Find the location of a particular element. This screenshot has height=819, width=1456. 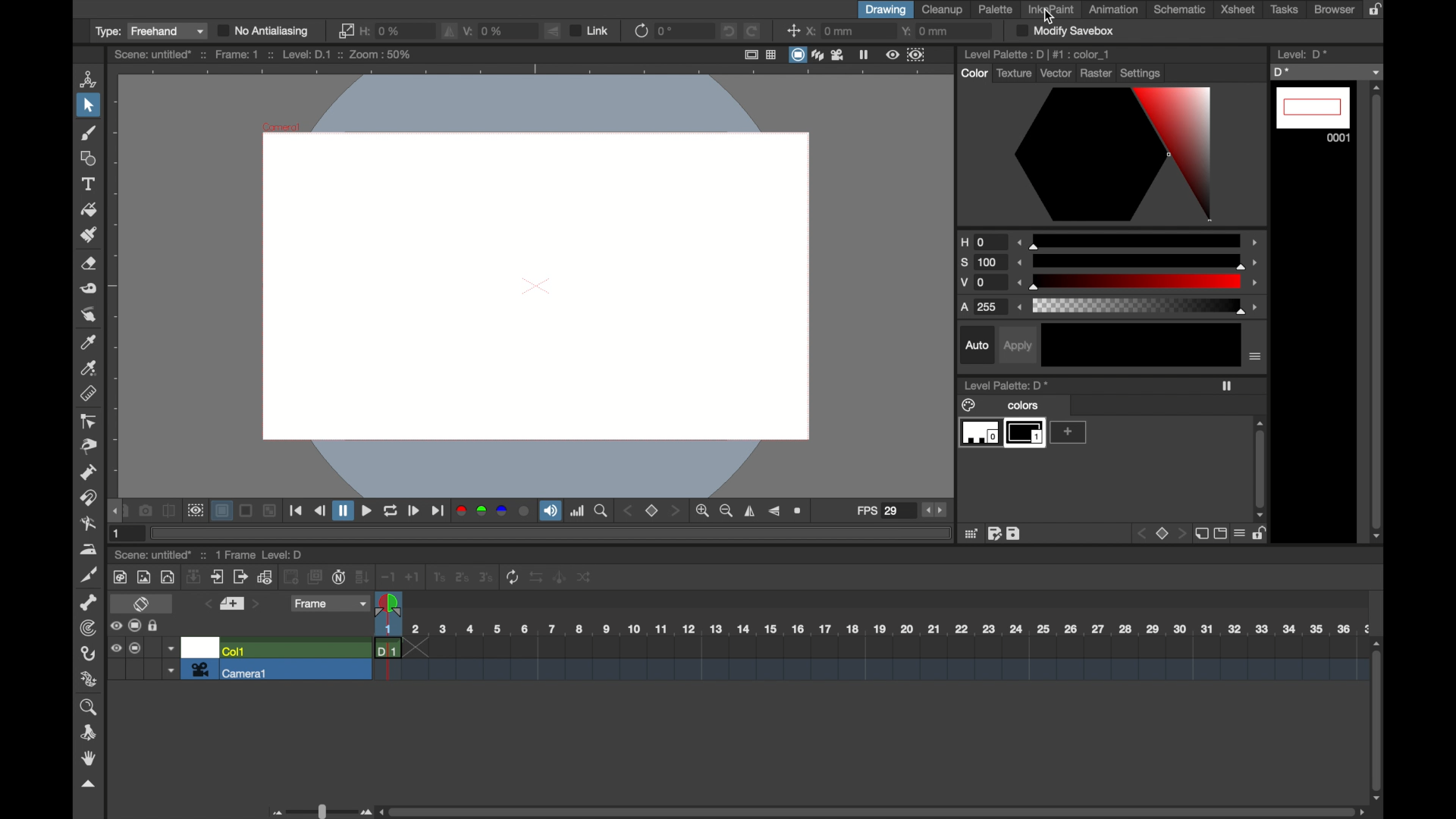

loop is located at coordinates (390, 511).